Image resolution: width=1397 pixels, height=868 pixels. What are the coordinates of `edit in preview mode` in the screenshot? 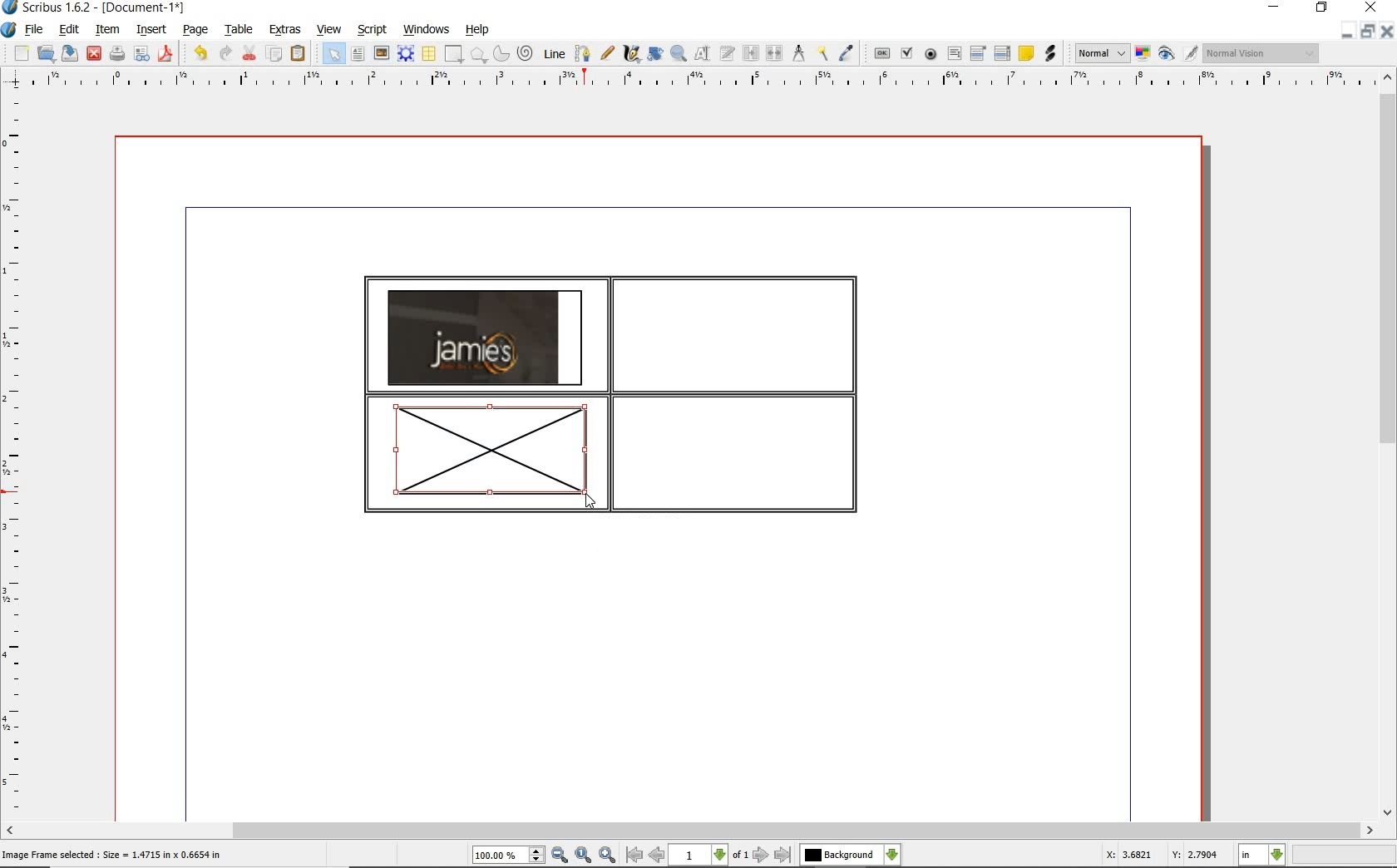 It's located at (1190, 54).